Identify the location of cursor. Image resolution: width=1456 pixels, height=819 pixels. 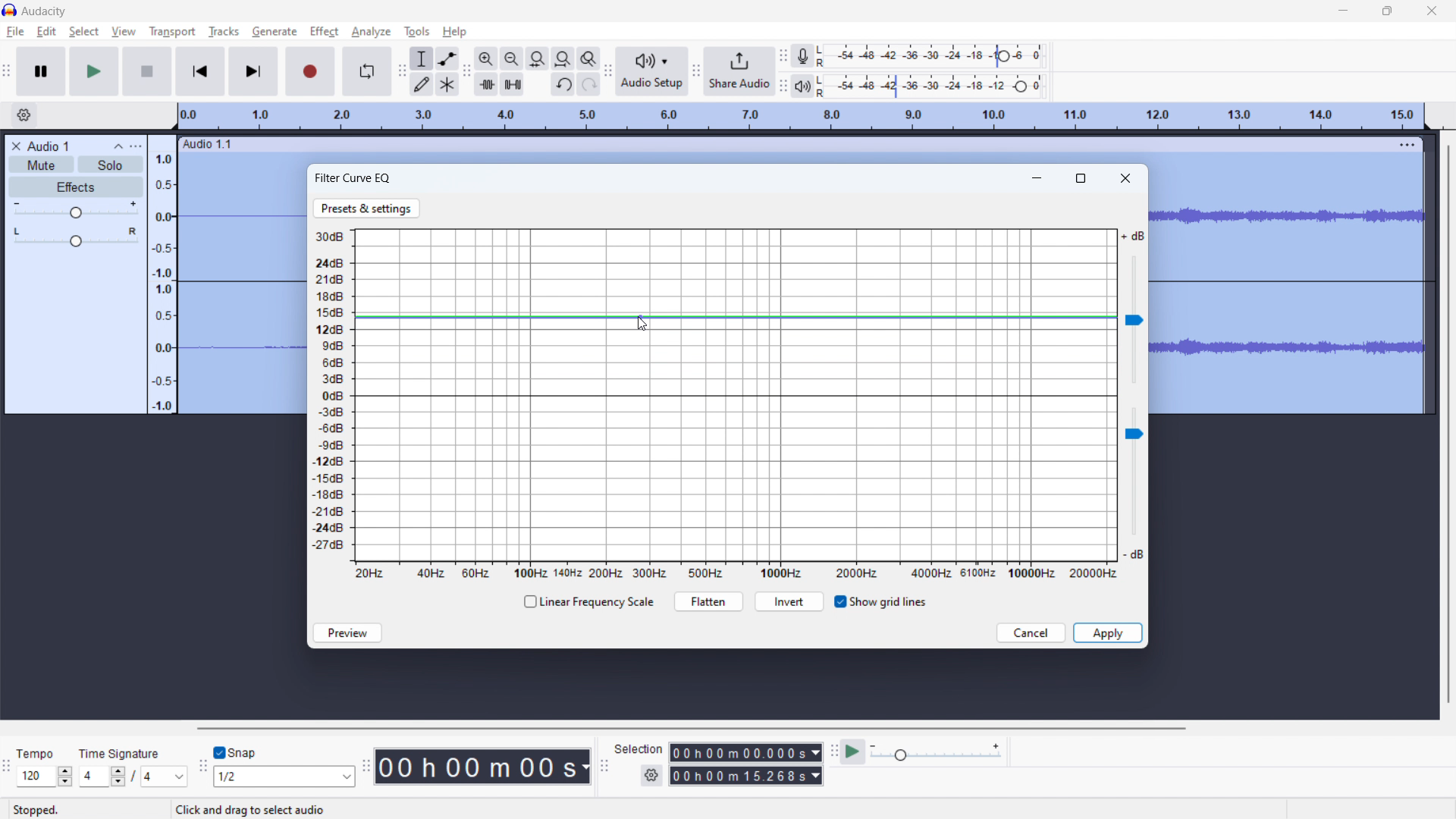
(338, 31).